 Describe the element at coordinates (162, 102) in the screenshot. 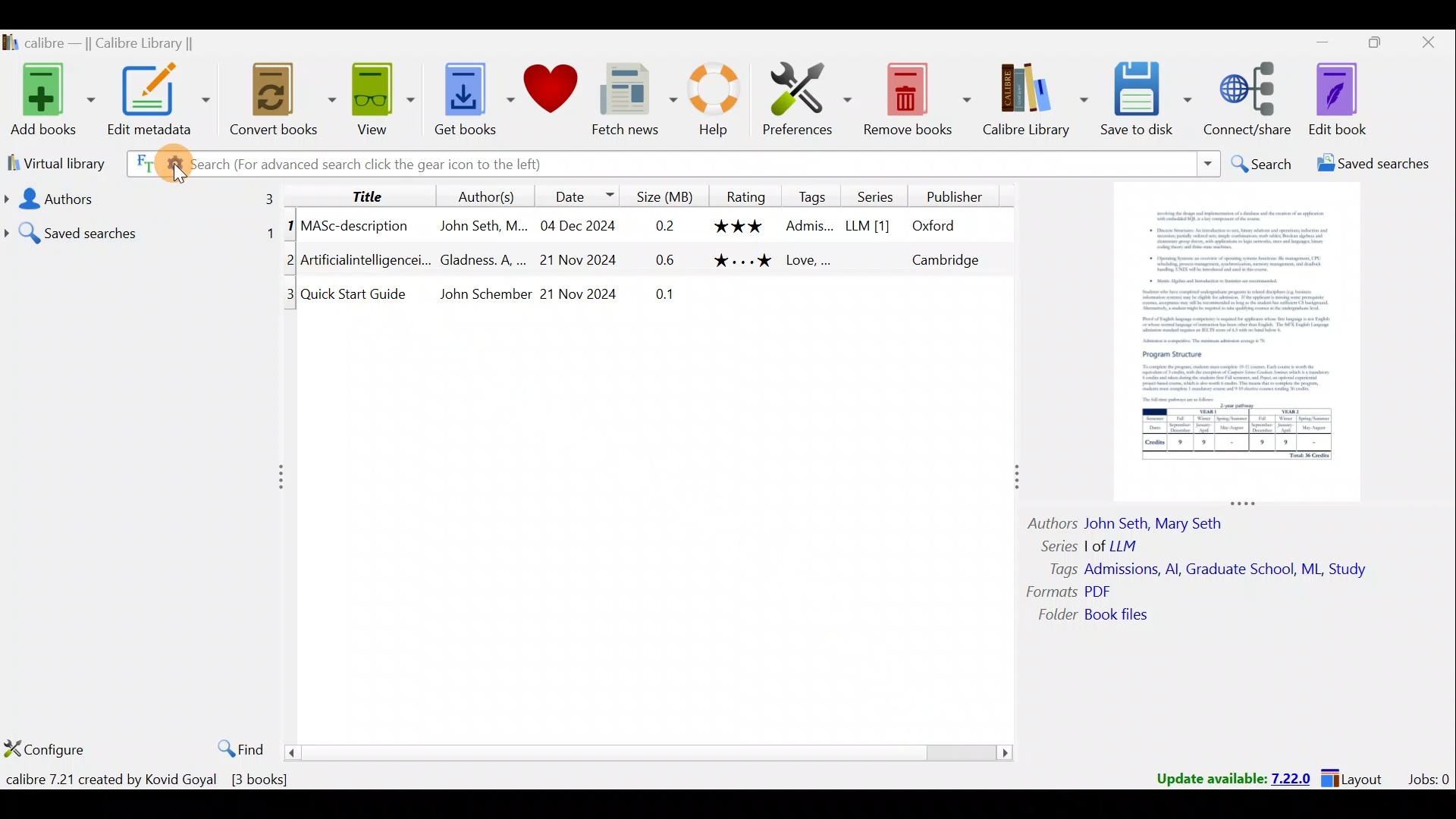

I see `Edit metadata` at that location.